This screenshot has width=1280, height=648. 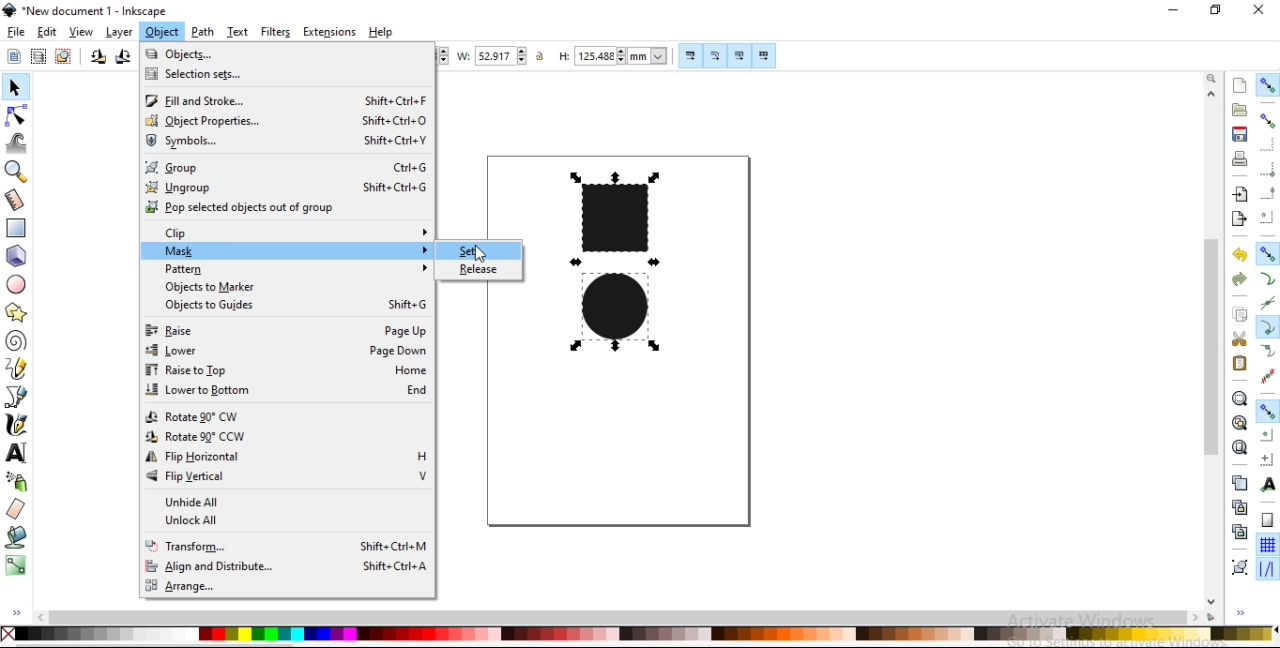 What do you see at coordinates (1269, 85) in the screenshot?
I see `enable snapping` at bounding box center [1269, 85].